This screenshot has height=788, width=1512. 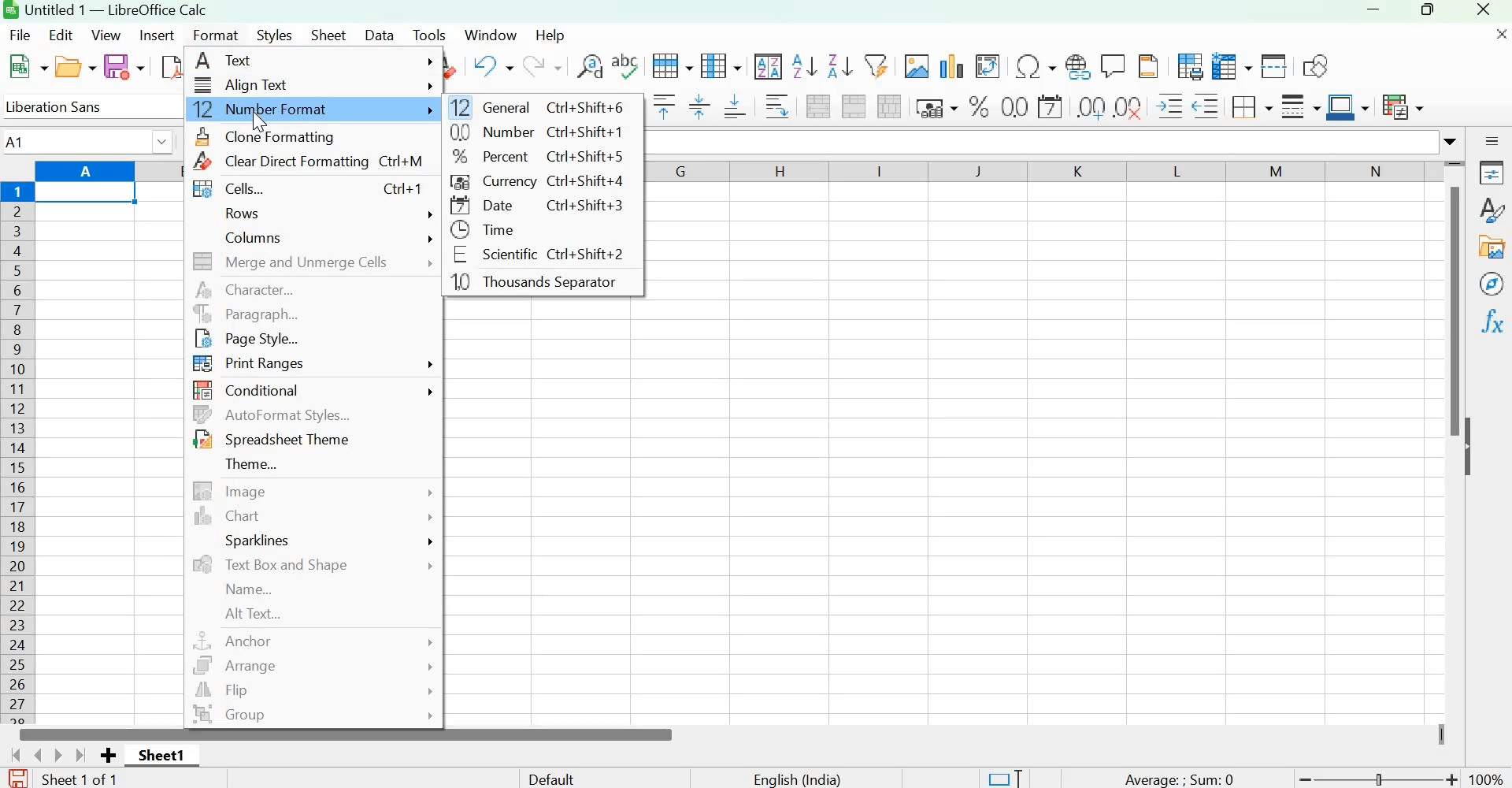 What do you see at coordinates (797, 779) in the screenshot?
I see `English(India)` at bounding box center [797, 779].